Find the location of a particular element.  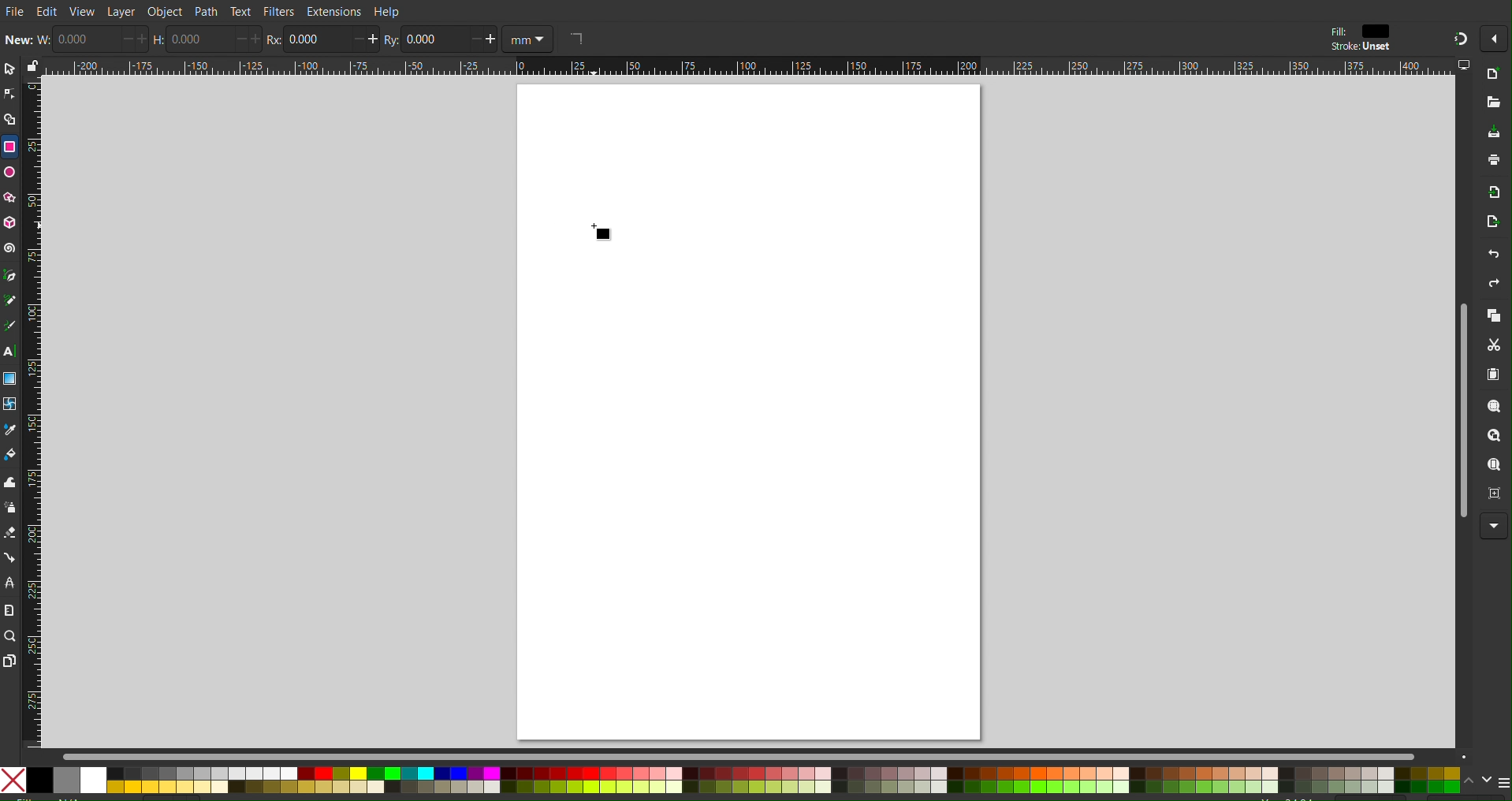

Zoom Drawing is located at coordinates (1496, 438).